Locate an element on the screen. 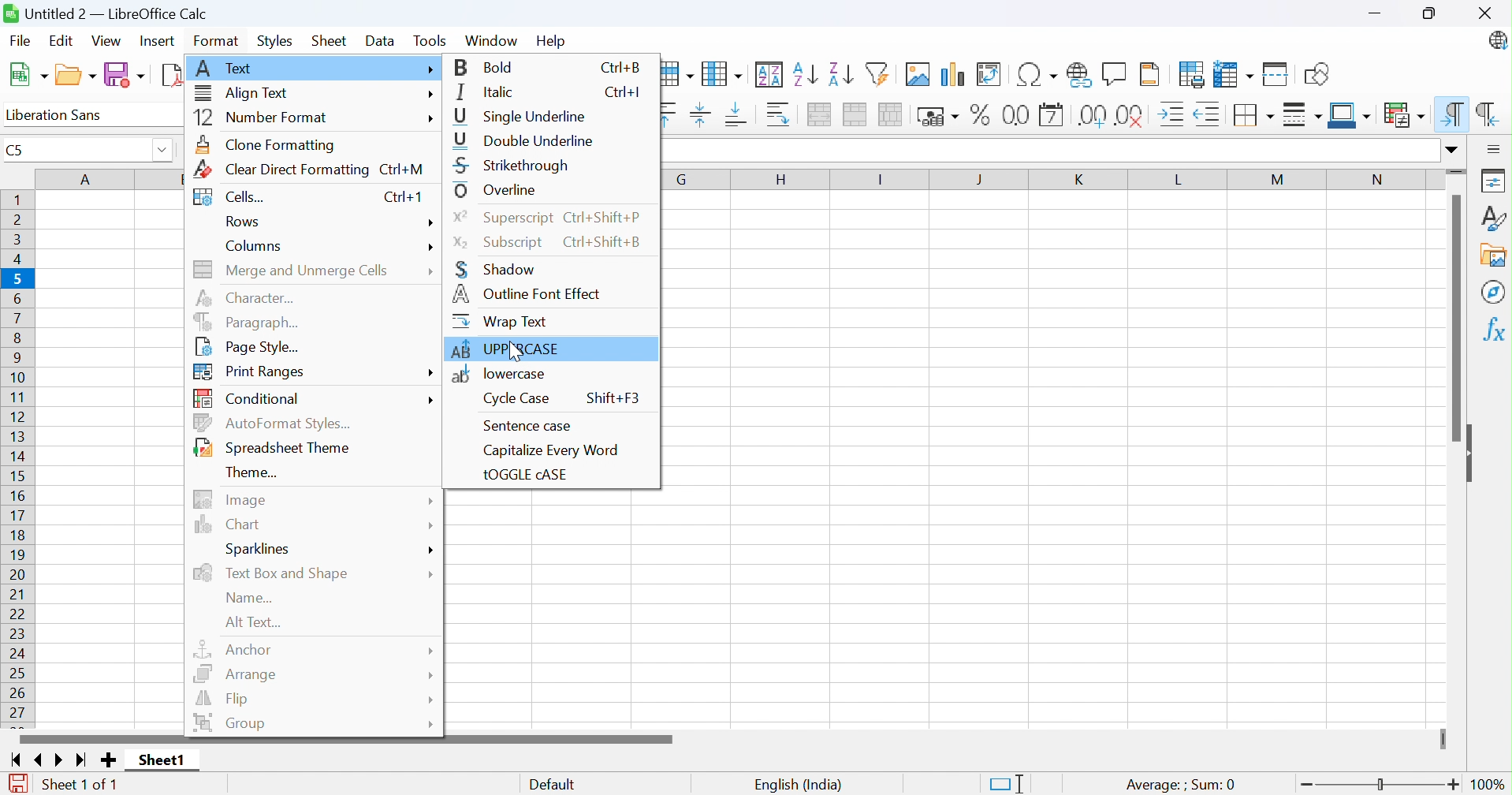 The width and height of the screenshot is (1512, 795). C5 is located at coordinates (73, 150).